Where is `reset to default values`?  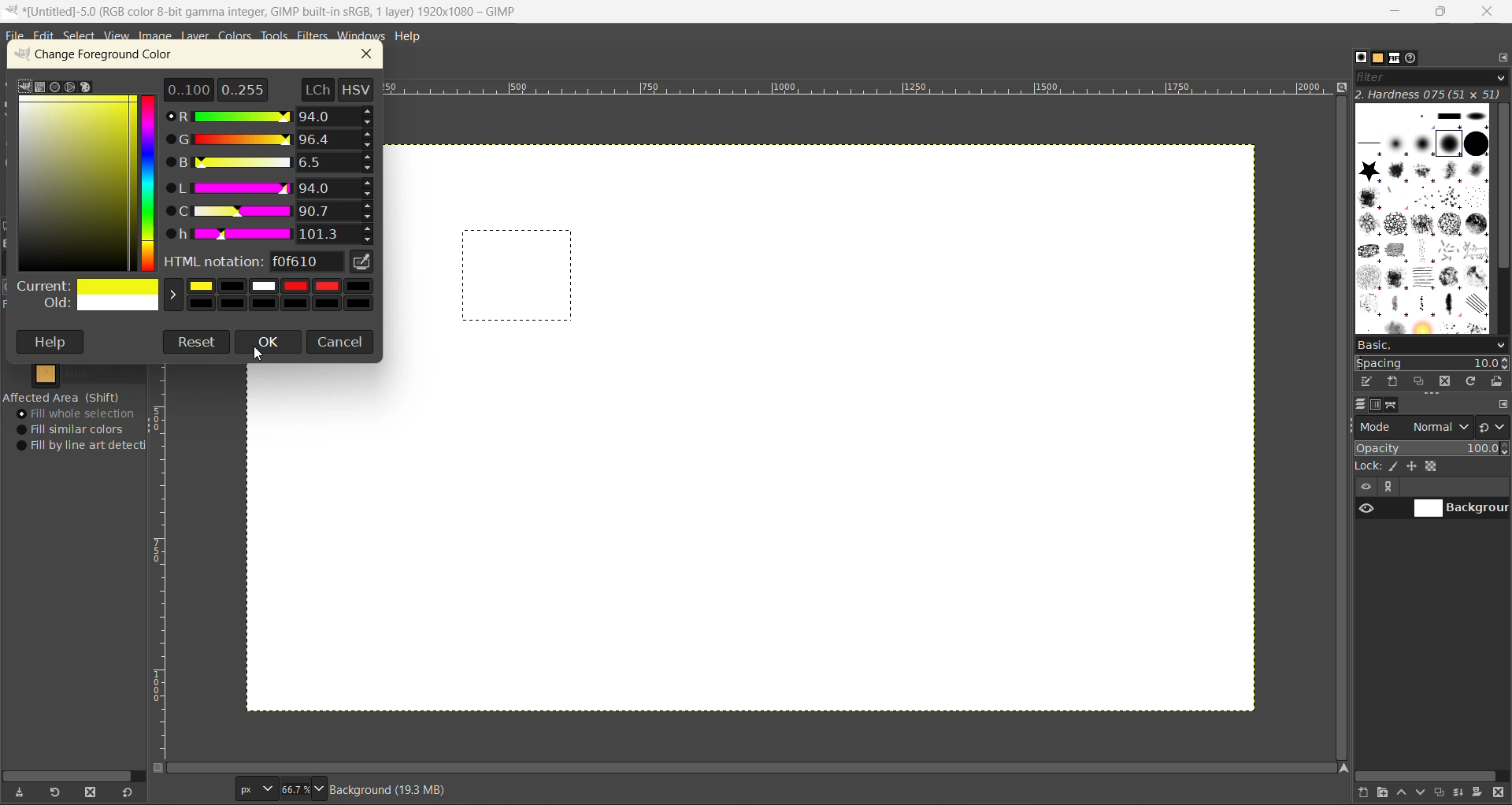
reset to default values is located at coordinates (130, 793).